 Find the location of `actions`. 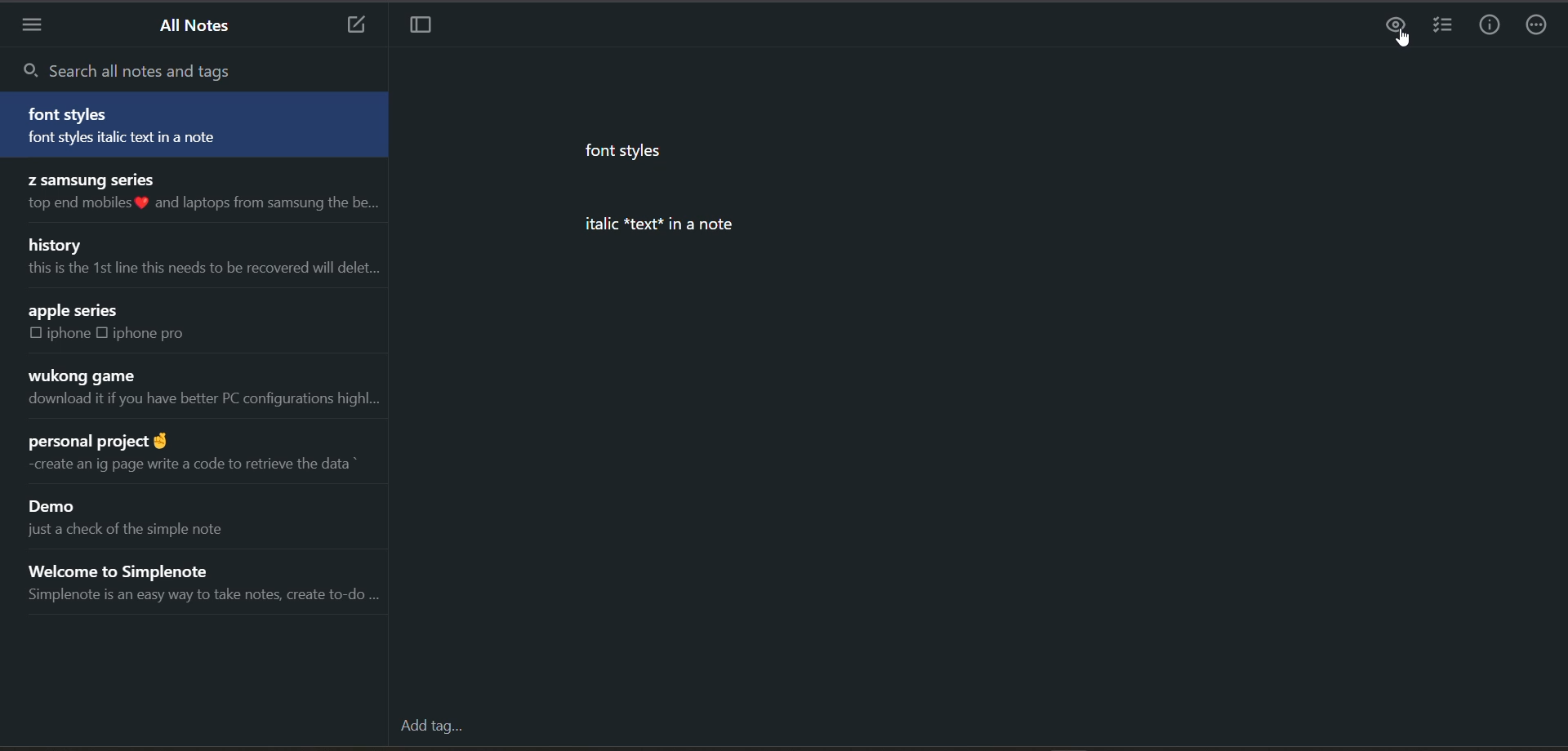

actions is located at coordinates (1541, 23).